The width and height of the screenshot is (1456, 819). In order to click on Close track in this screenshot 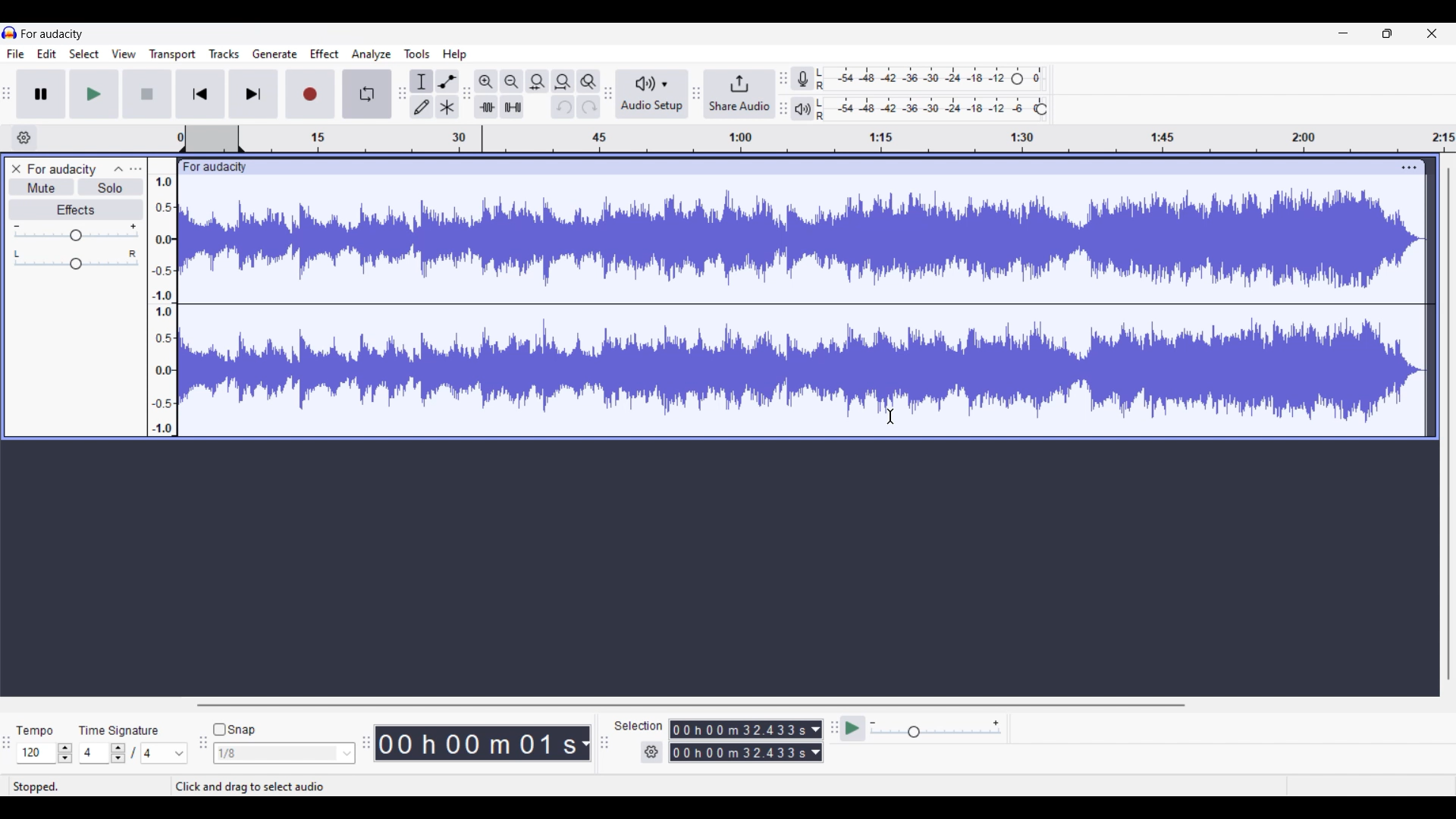, I will do `click(17, 169)`.